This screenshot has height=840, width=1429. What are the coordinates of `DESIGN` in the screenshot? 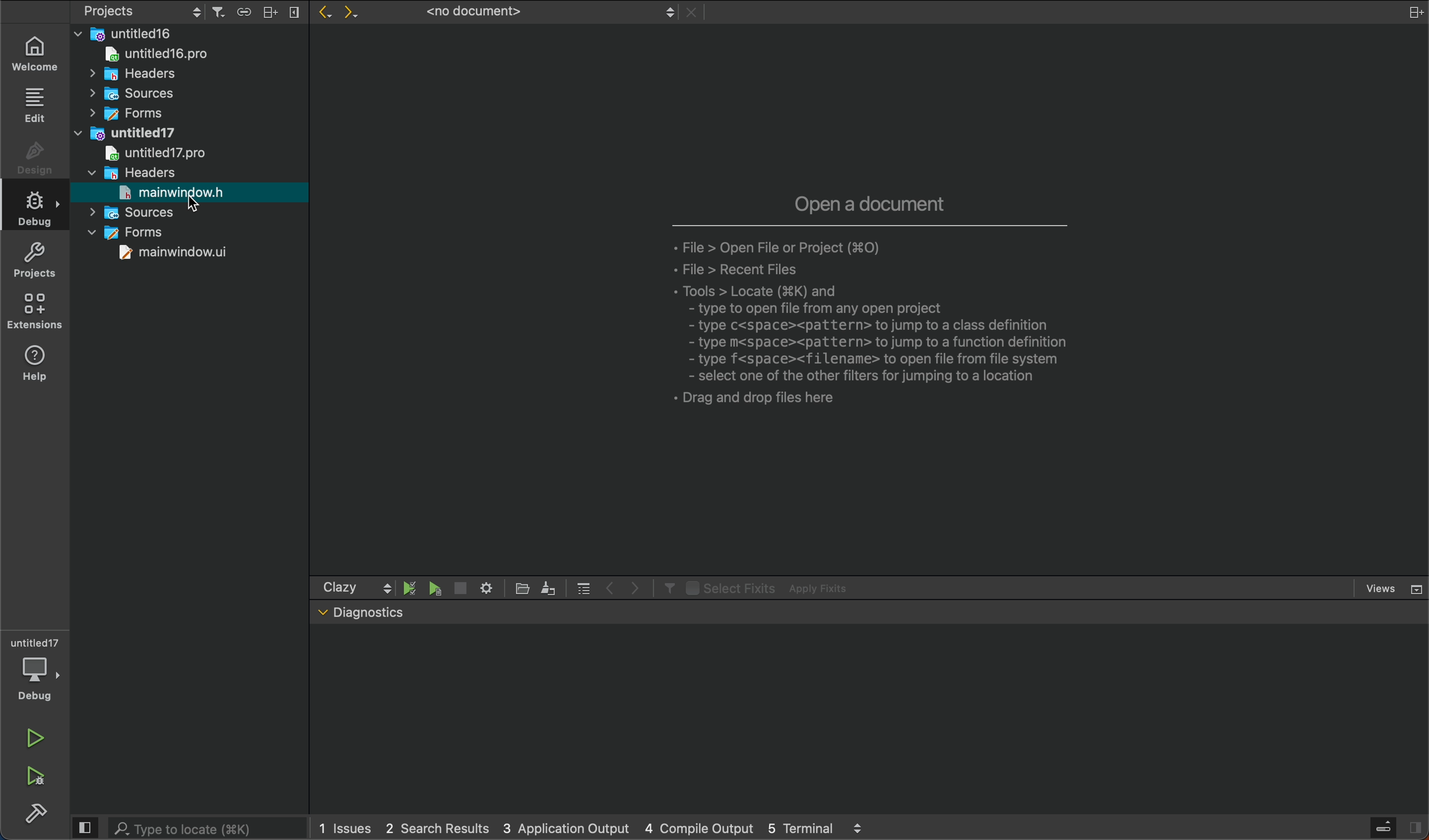 It's located at (34, 161).